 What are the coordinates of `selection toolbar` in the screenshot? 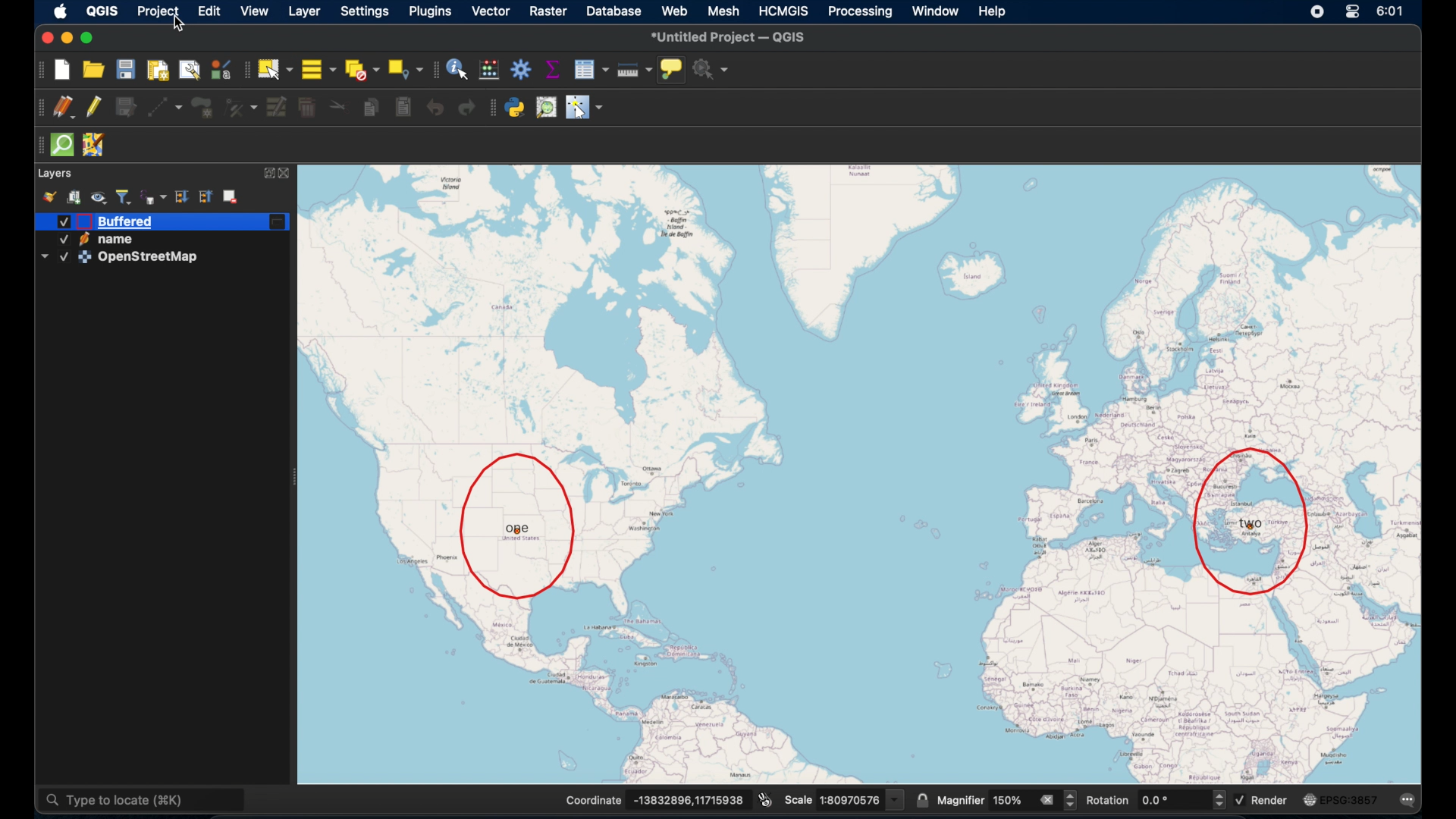 It's located at (243, 69).